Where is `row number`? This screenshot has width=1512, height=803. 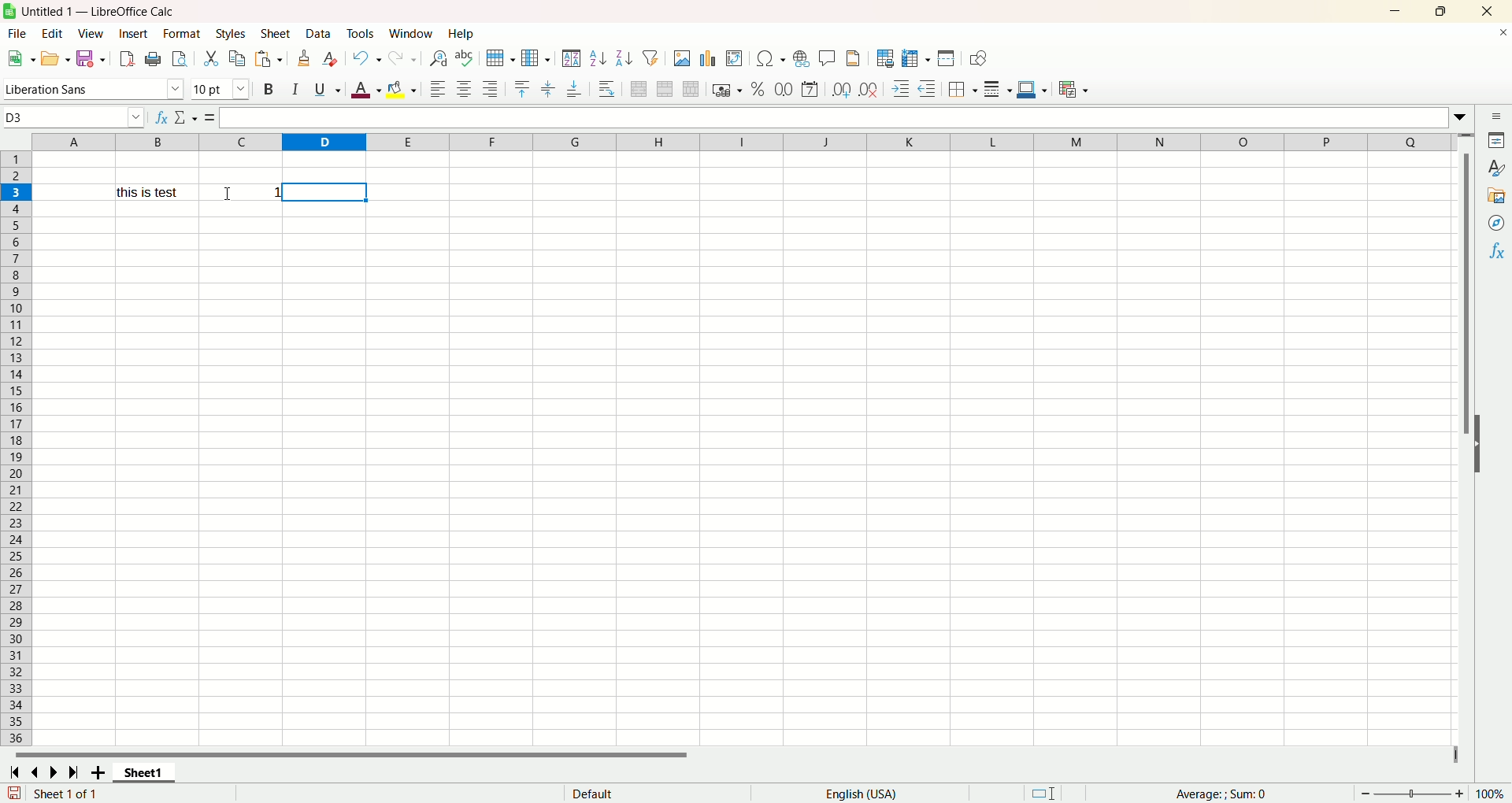 row number is located at coordinates (15, 450).